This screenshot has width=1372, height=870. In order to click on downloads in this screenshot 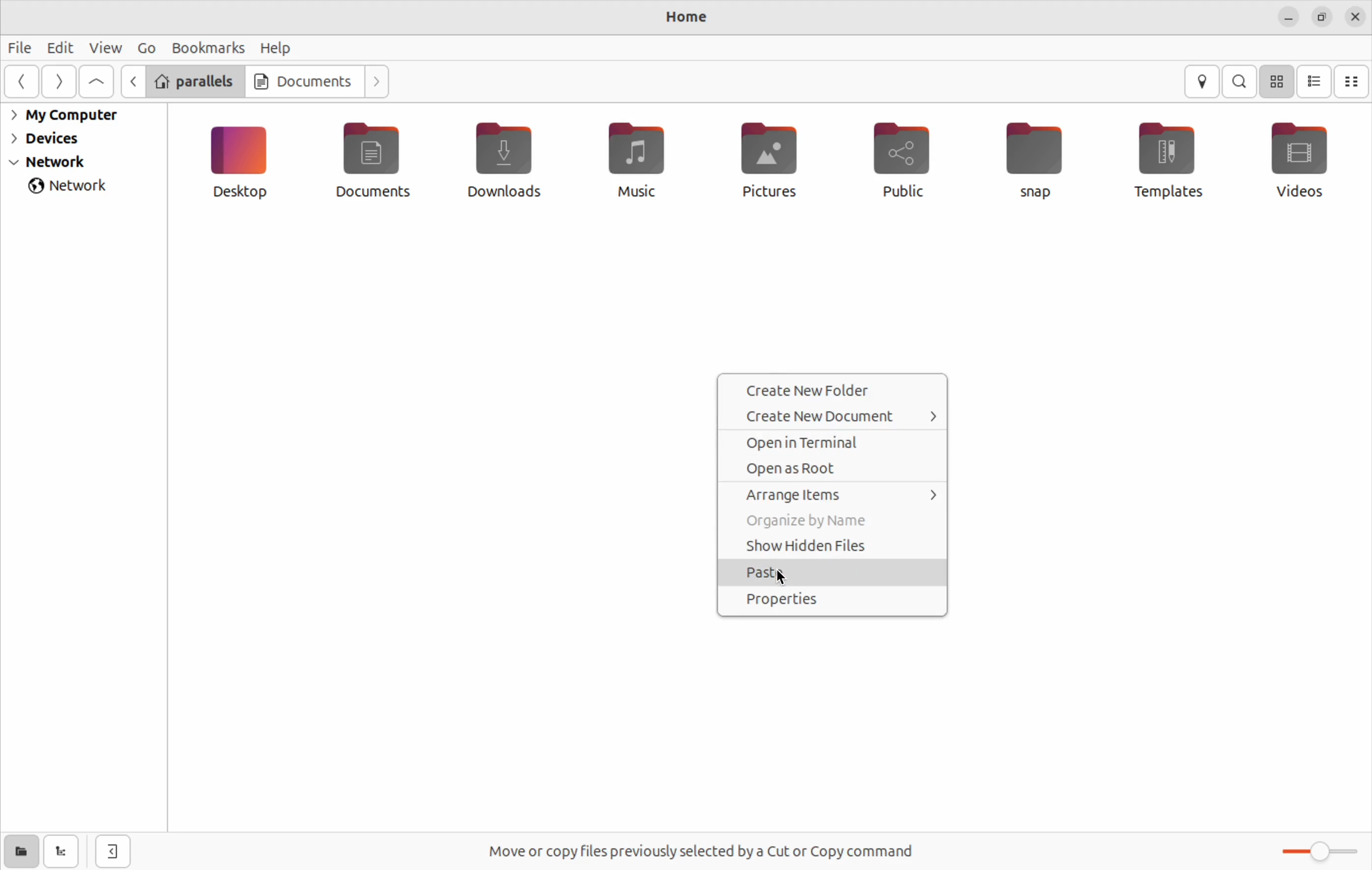, I will do `click(511, 160)`.